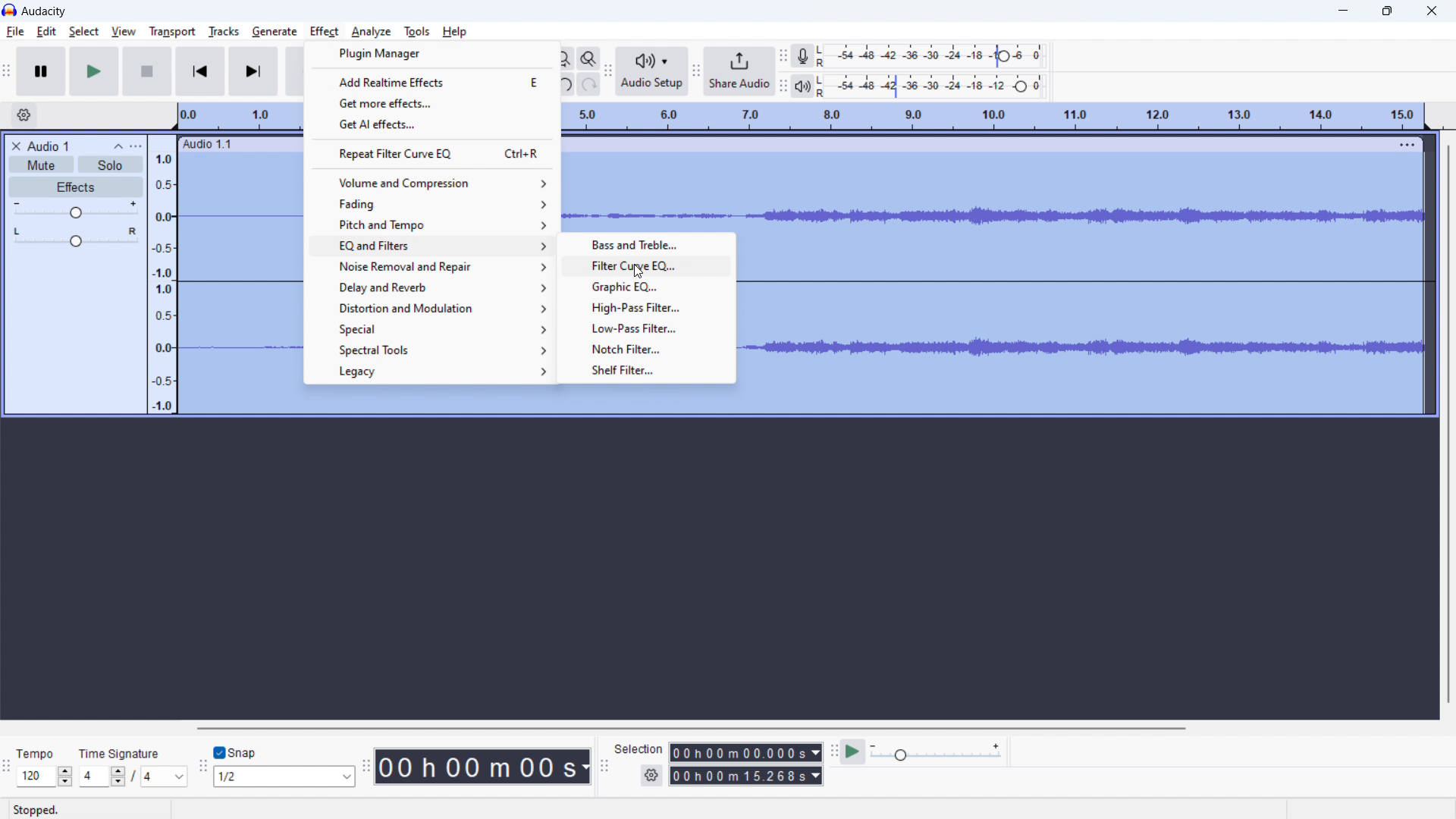 The width and height of the screenshot is (1456, 819). Describe the element at coordinates (163, 274) in the screenshot. I see `amplitude` at that location.